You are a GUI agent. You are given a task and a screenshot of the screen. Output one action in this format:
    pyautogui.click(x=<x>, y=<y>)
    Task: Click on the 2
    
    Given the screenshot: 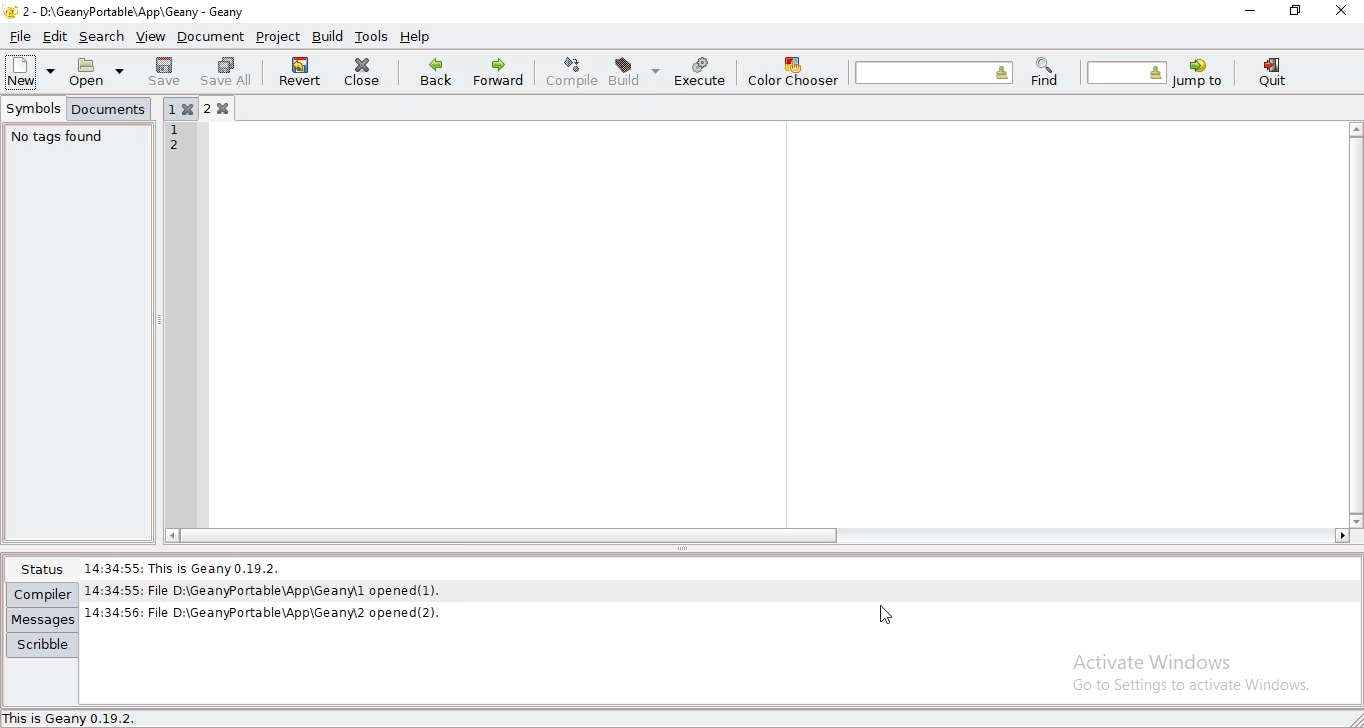 What is the action you would take?
    pyautogui.click(x=224, y=108)
    